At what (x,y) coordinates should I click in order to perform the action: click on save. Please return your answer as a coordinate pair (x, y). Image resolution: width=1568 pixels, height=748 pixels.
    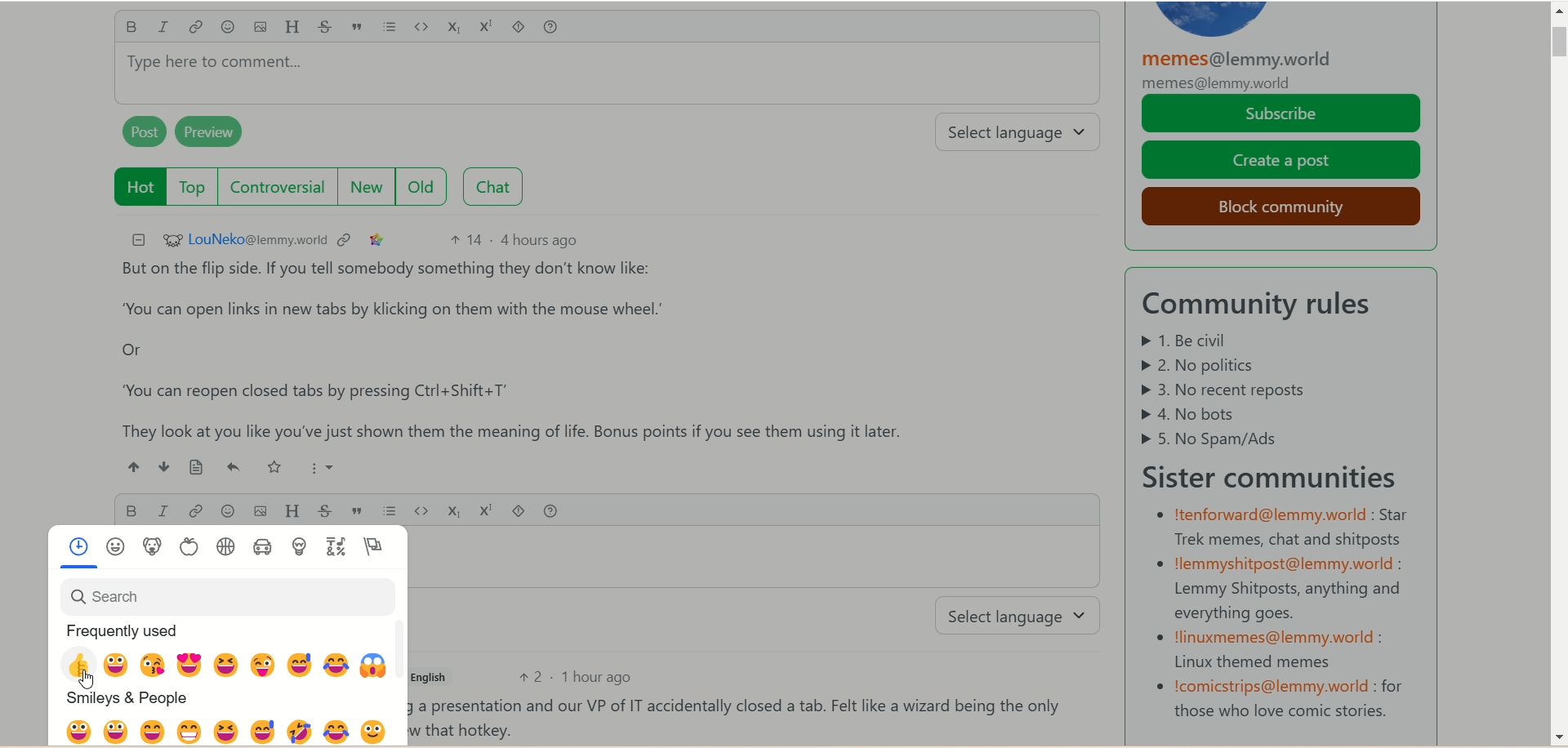
    Looking at the image, I should click on (275, 467).